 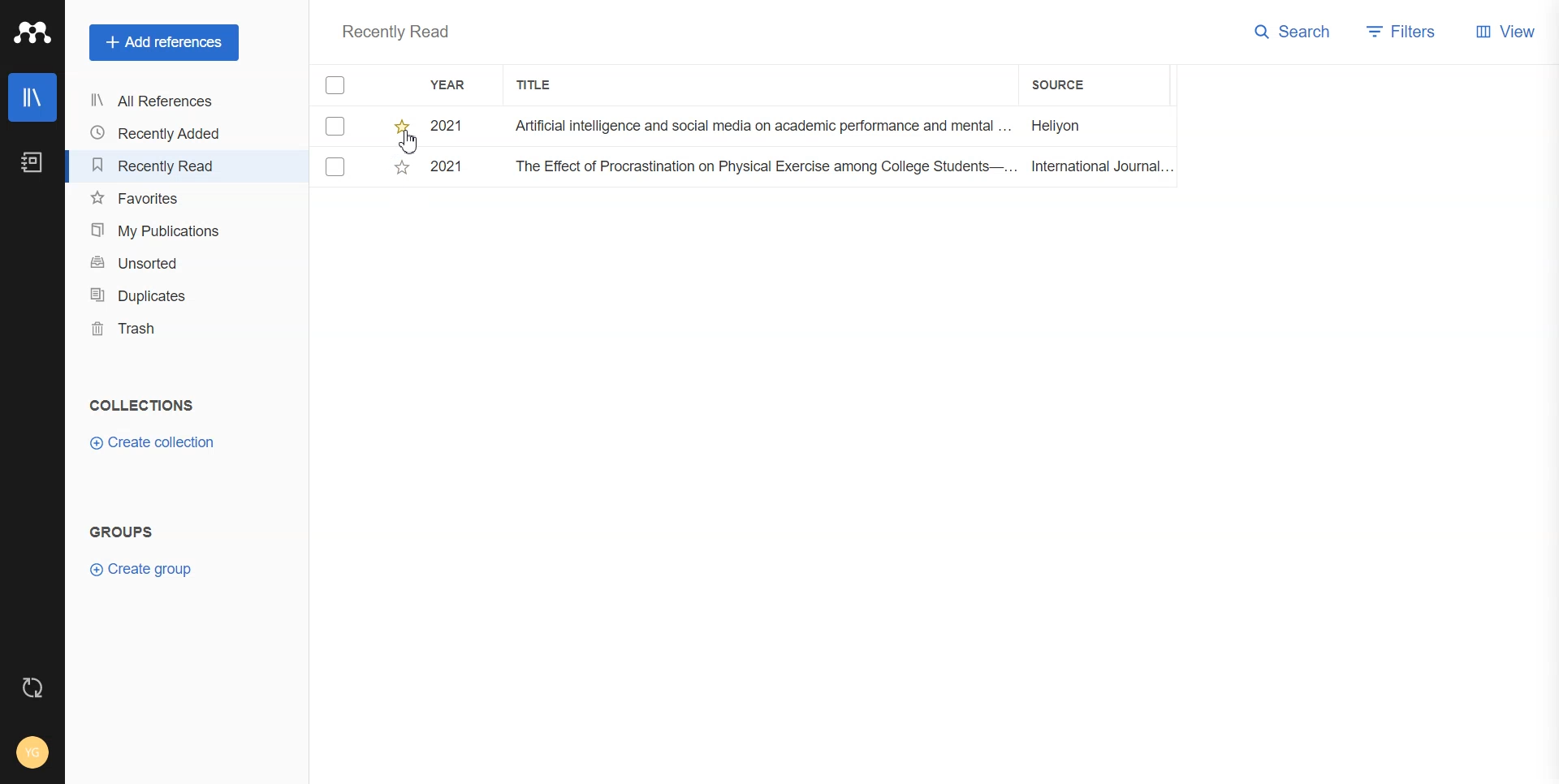 I want to click on Unsorted, so click(x=162, y=262).